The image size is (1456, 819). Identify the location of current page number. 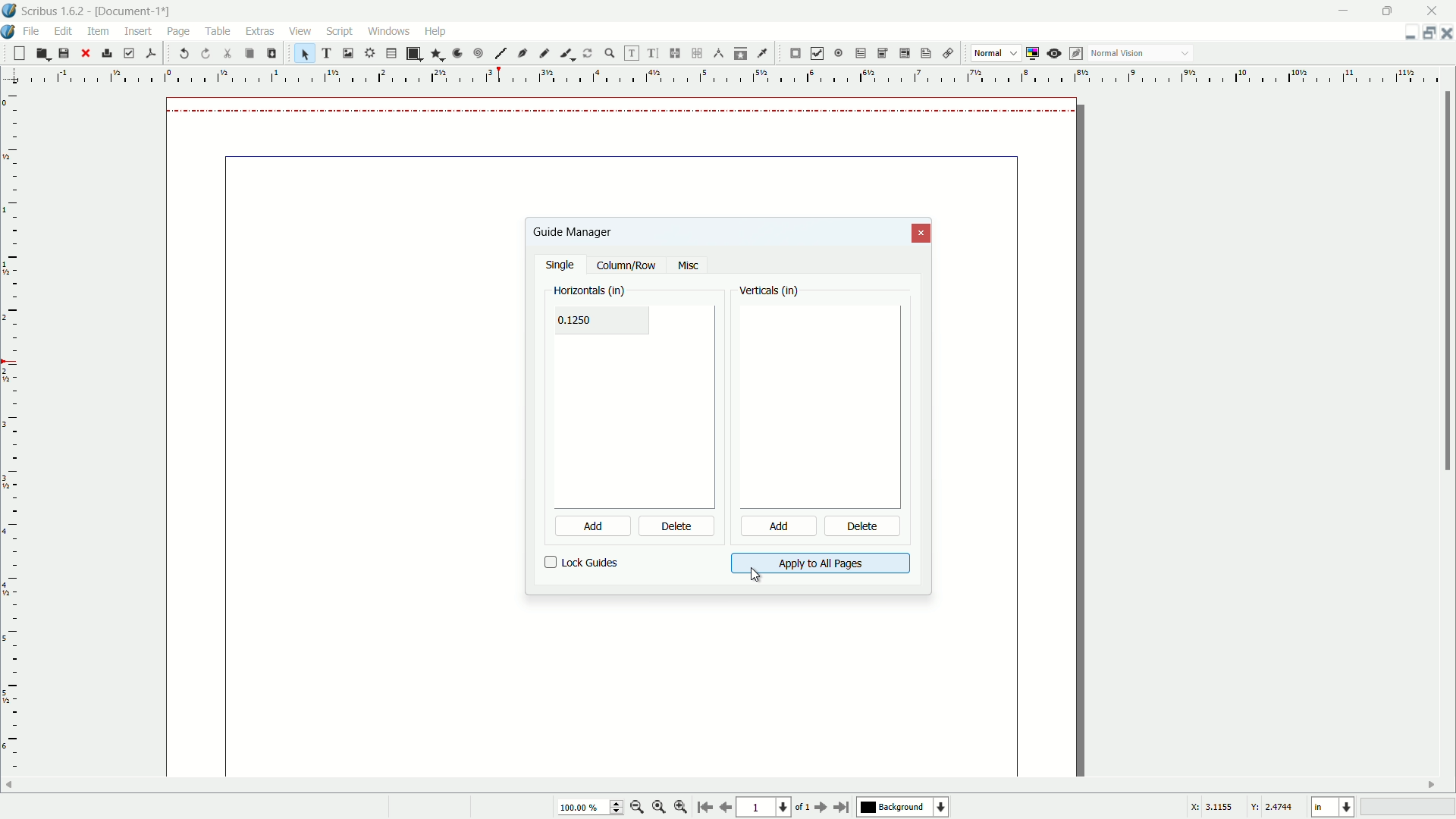
(763, 808).